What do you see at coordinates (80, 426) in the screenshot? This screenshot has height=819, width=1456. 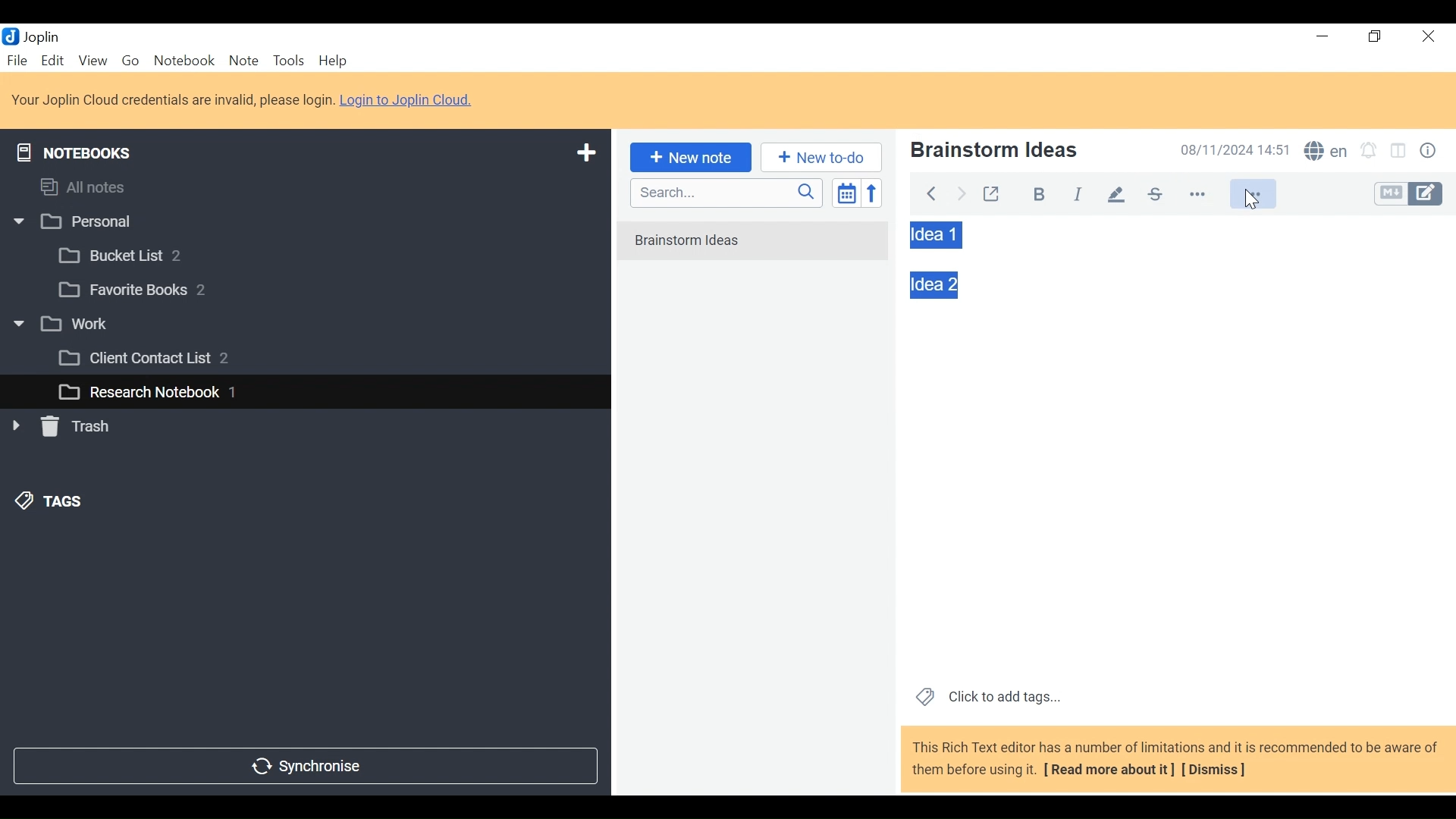 I see `» [ Trash` at bounding box center [80, 426].